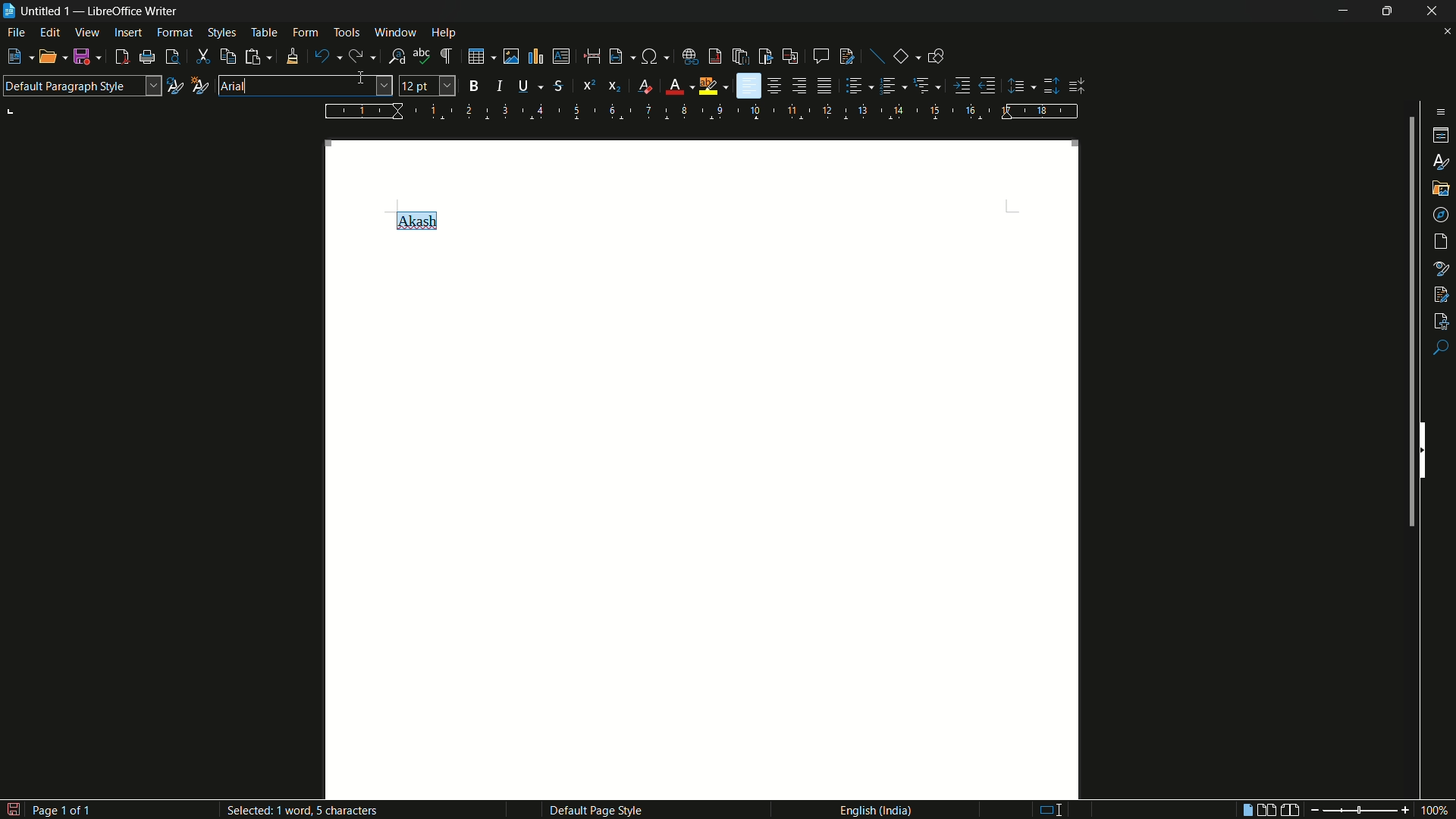 Image resolution: width=1456 pixels, height=819 pixels. Describe the element at coordinates (203, 58) in the screenshot. I see `cut` at that location.